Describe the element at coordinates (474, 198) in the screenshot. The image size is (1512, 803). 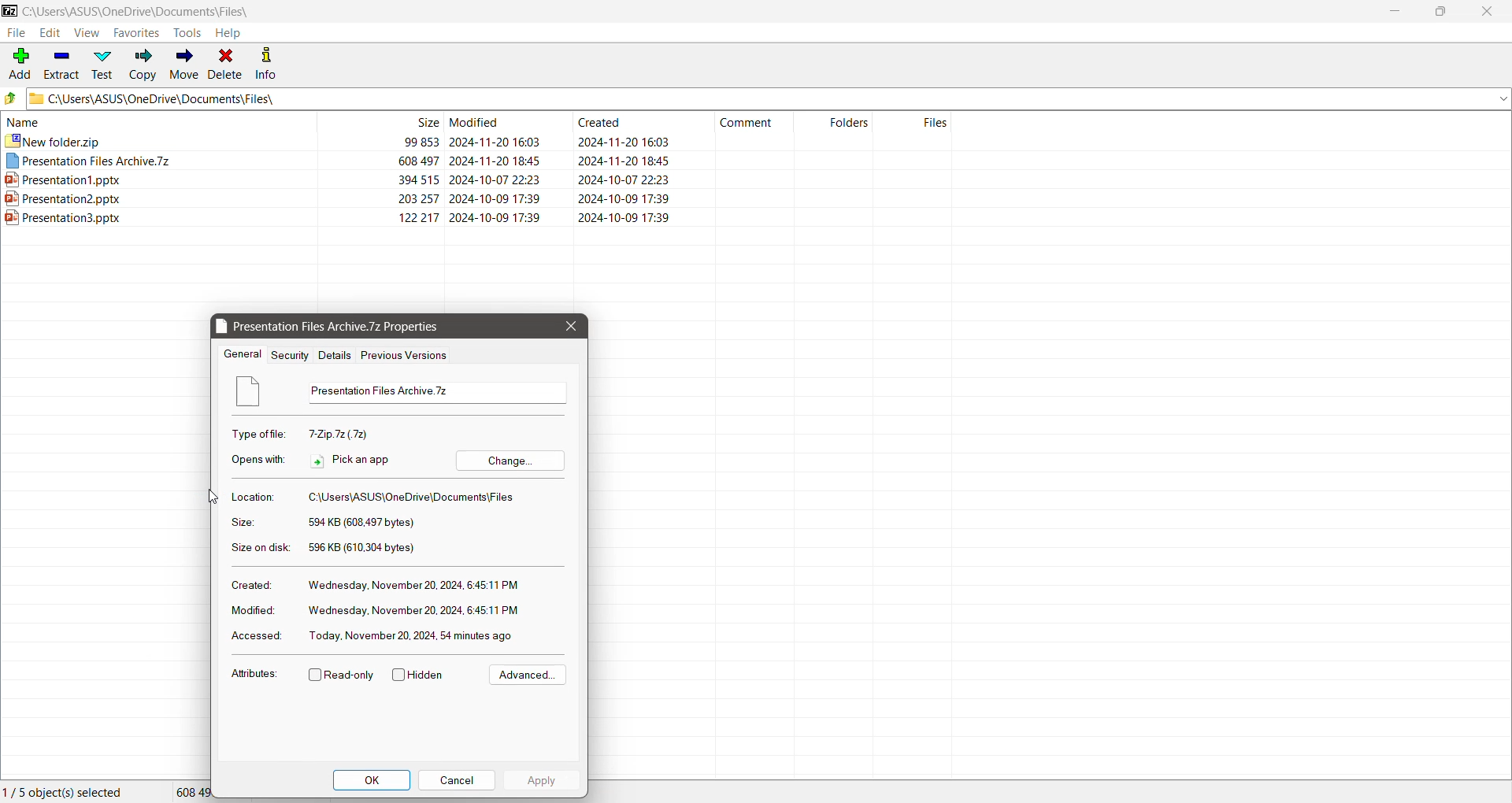
I see `ppt2` at that location.